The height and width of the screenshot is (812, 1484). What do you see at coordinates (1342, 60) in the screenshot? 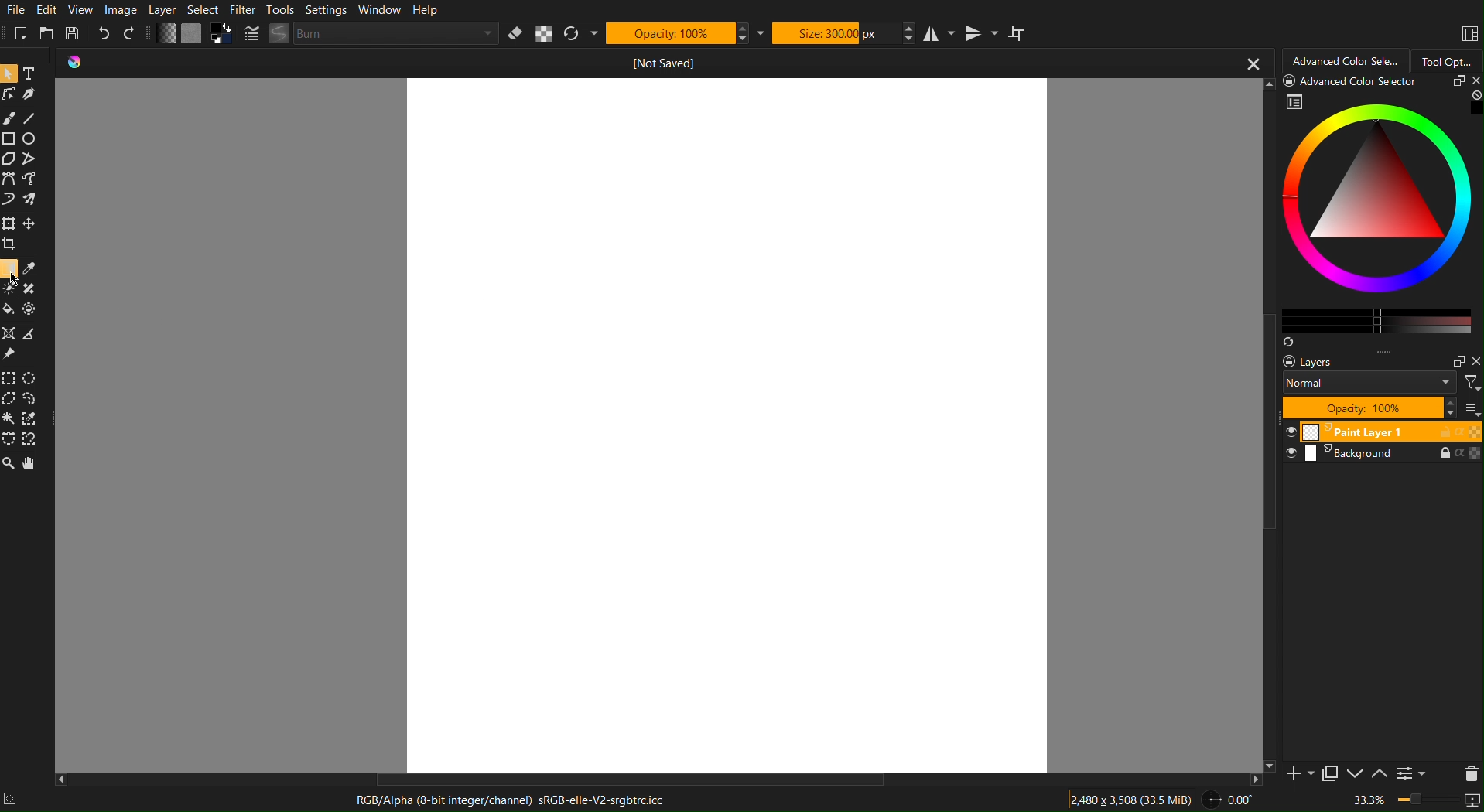
I see `Advanced Color Selector` at bounding box center [1342, 60].